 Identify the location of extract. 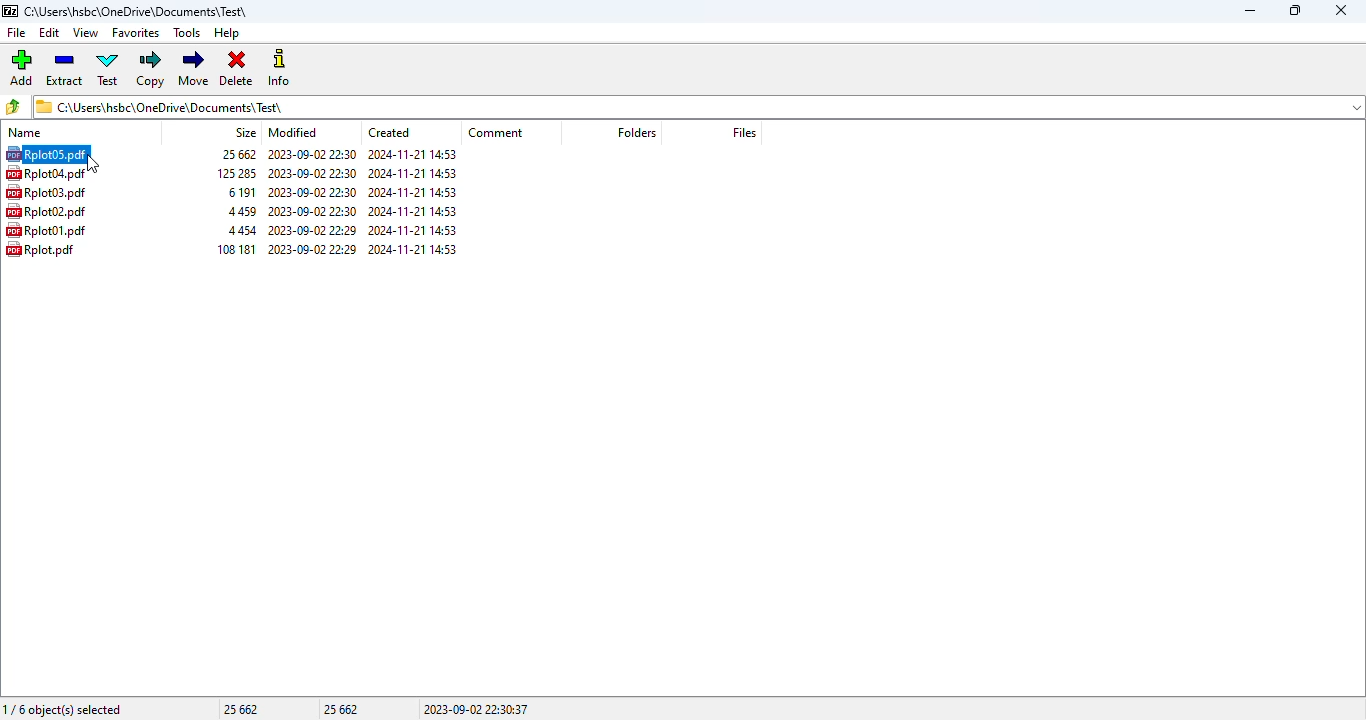
(66, 68).